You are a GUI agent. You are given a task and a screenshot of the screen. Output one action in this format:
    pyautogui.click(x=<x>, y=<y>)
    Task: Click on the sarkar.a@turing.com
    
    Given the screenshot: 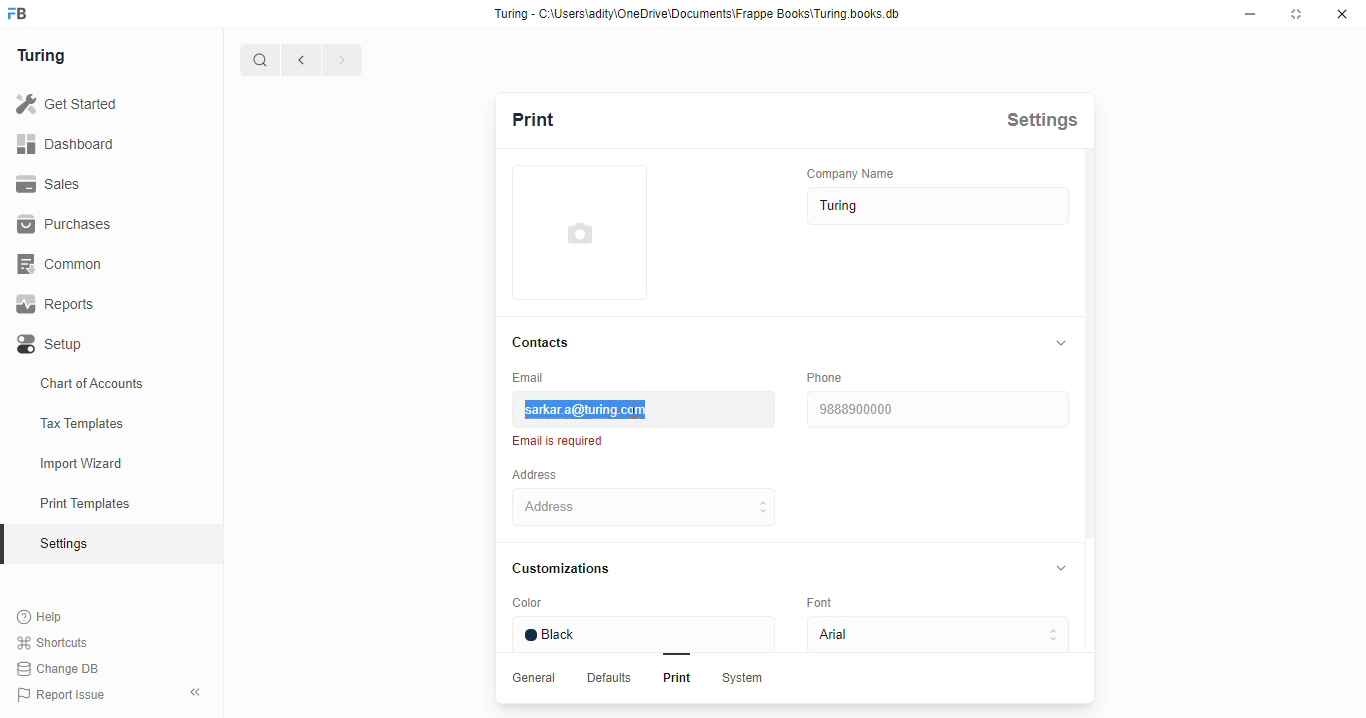 What is the action you would take?
    pyautogui.click(x=641, y=409)
    